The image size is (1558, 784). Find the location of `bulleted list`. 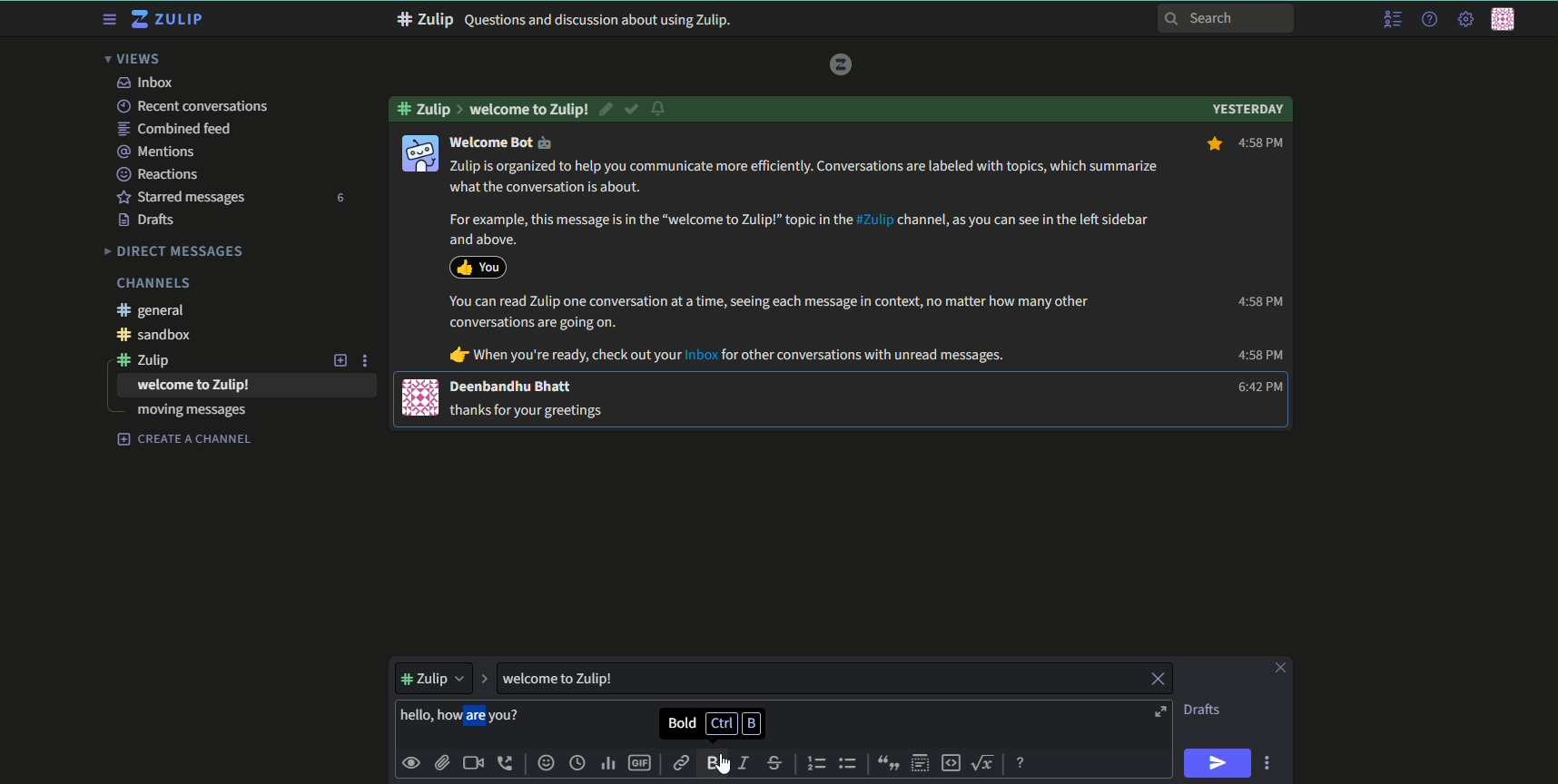

bulleted list is located at coordinates (848, 763).